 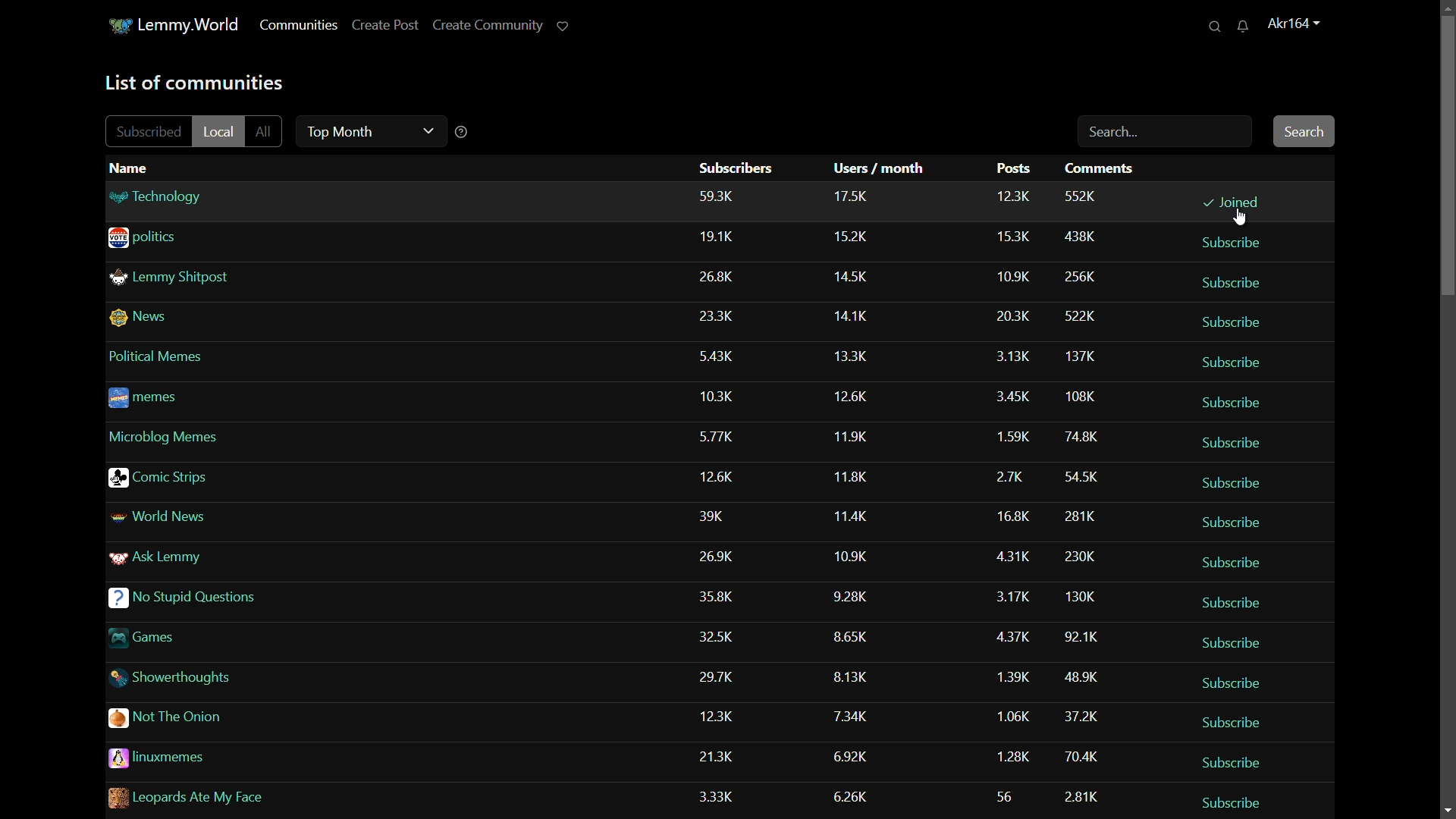 What do you see at coordinates (1230, 362) in the screenshot?
I see `subscribe/unsubscribe` at bounding box center [1230, 362].